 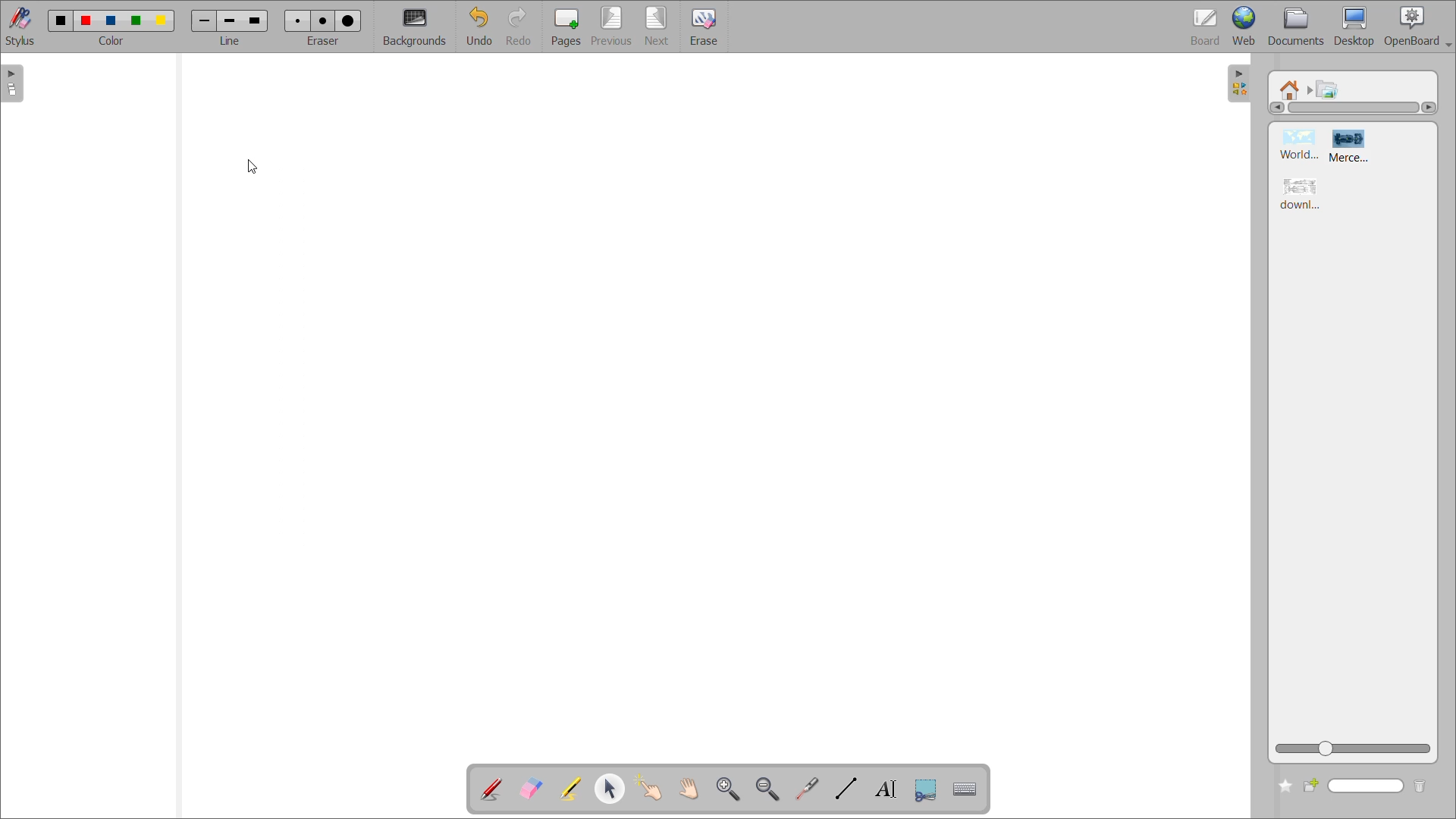 What do you see at coordinates (769, 790) in the screenshot?
I see `zoom out` at bounding box center [769, 790].